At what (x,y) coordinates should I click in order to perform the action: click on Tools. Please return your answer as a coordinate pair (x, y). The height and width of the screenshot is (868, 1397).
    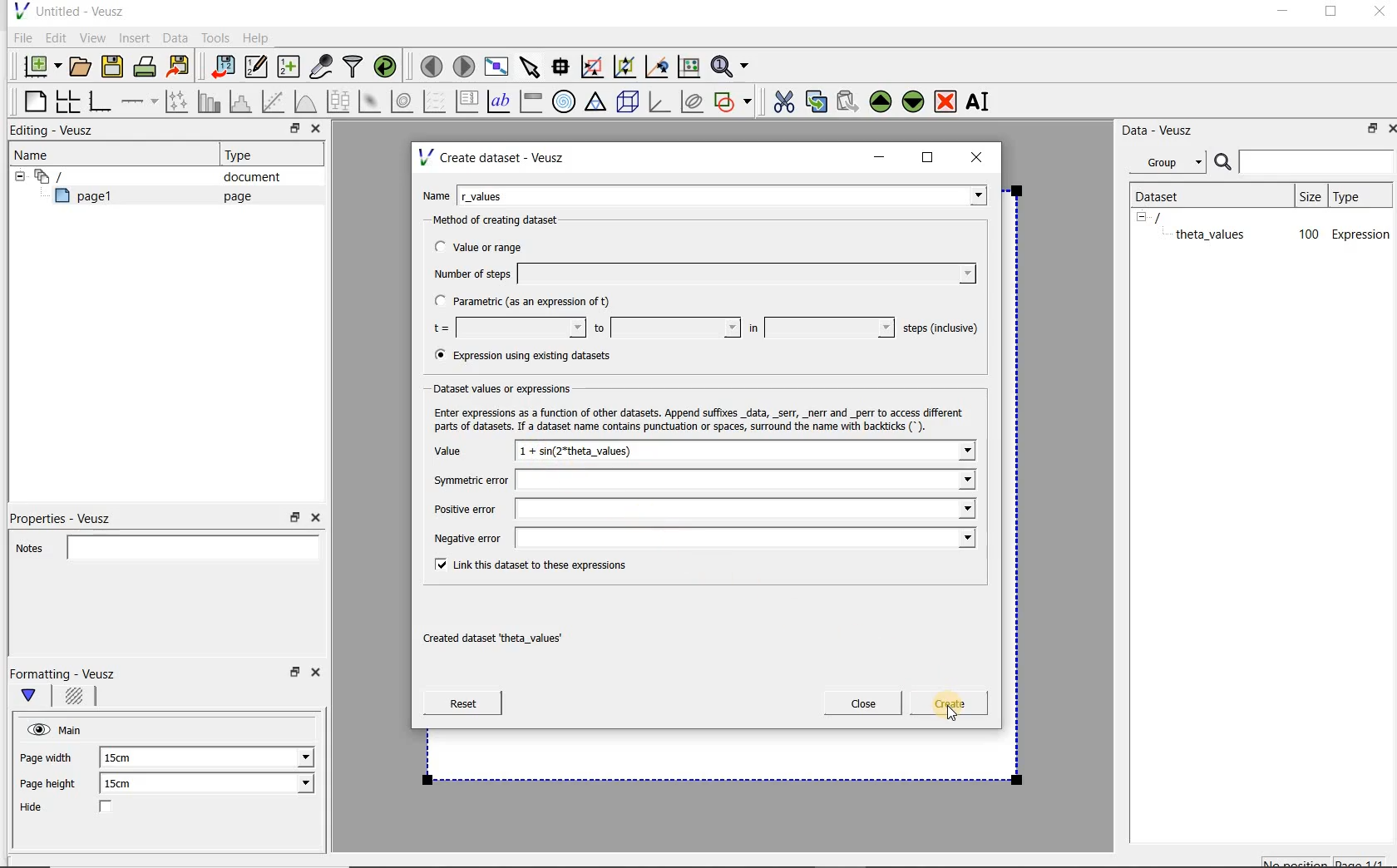
    Looking at the image, I should click on (214, 38).